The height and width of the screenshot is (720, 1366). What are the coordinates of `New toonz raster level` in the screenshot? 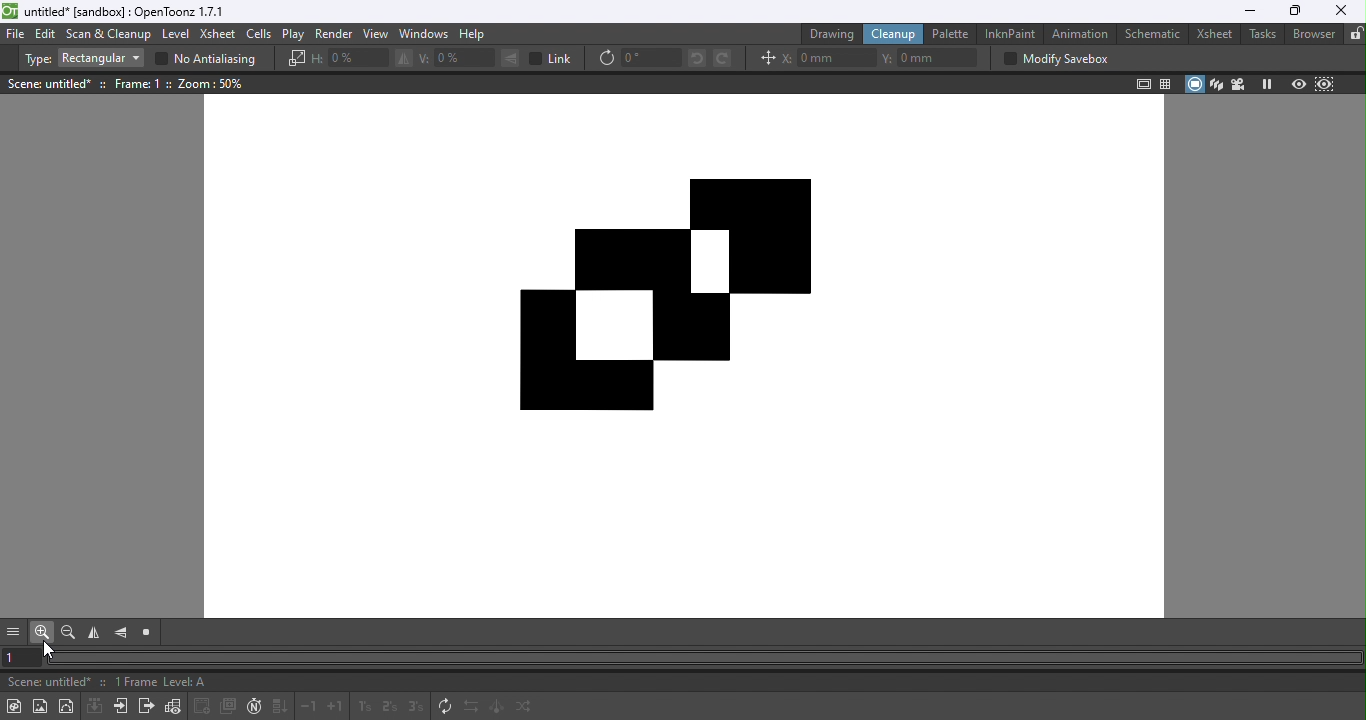 It's located at (14, 706).